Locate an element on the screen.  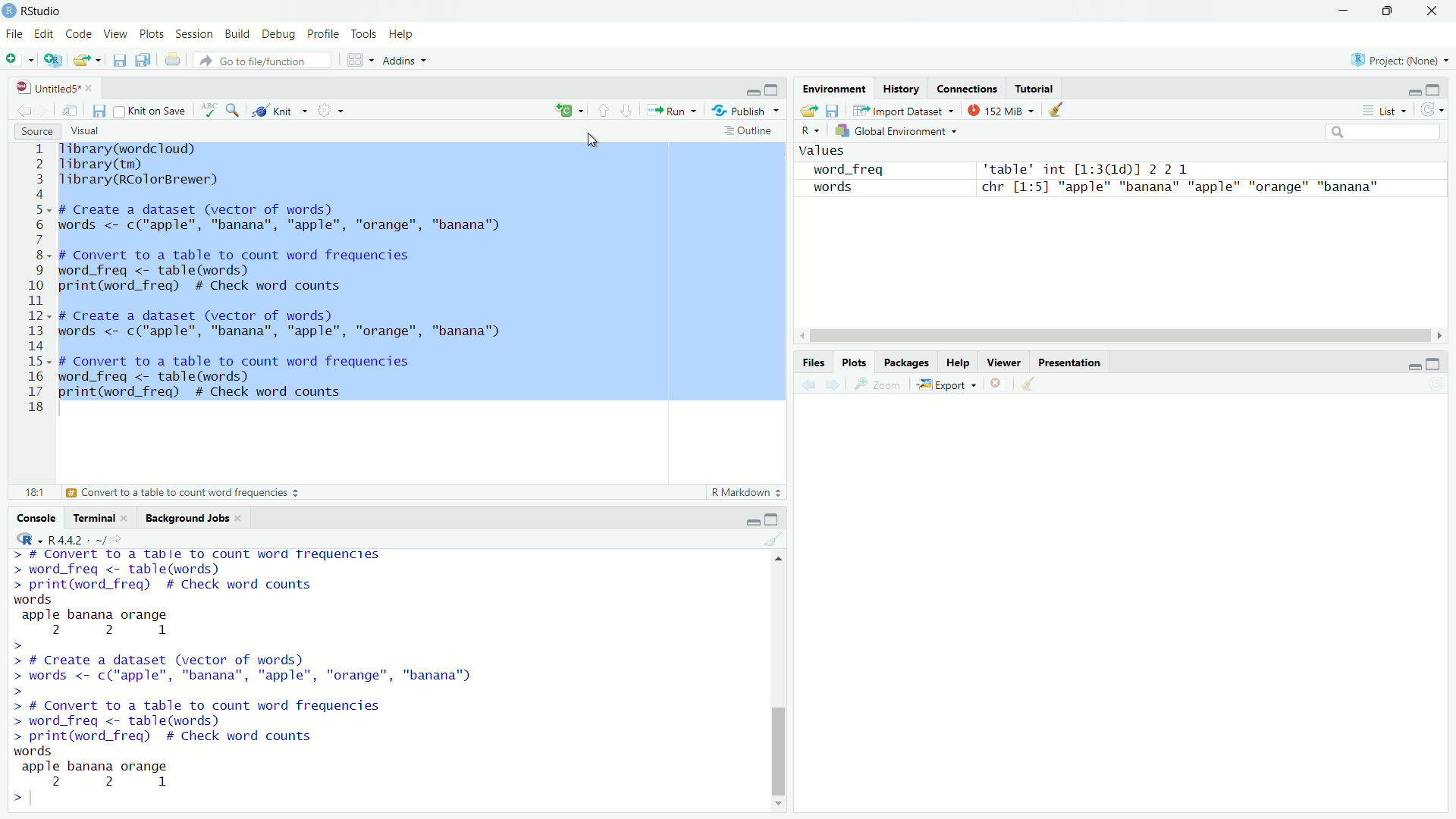
Untitled is located at coordinates (56, 88).